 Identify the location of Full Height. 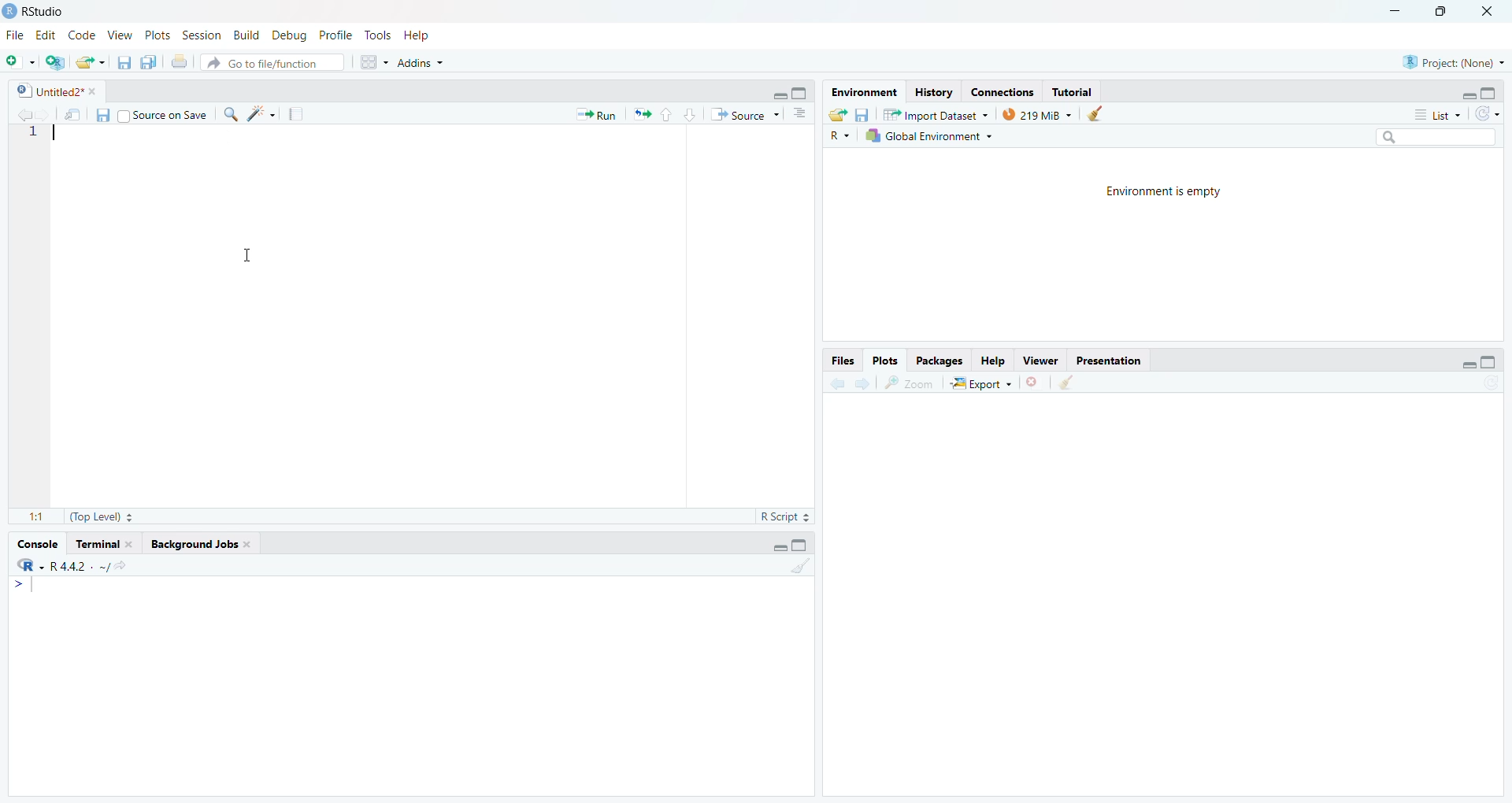
(800, 544).